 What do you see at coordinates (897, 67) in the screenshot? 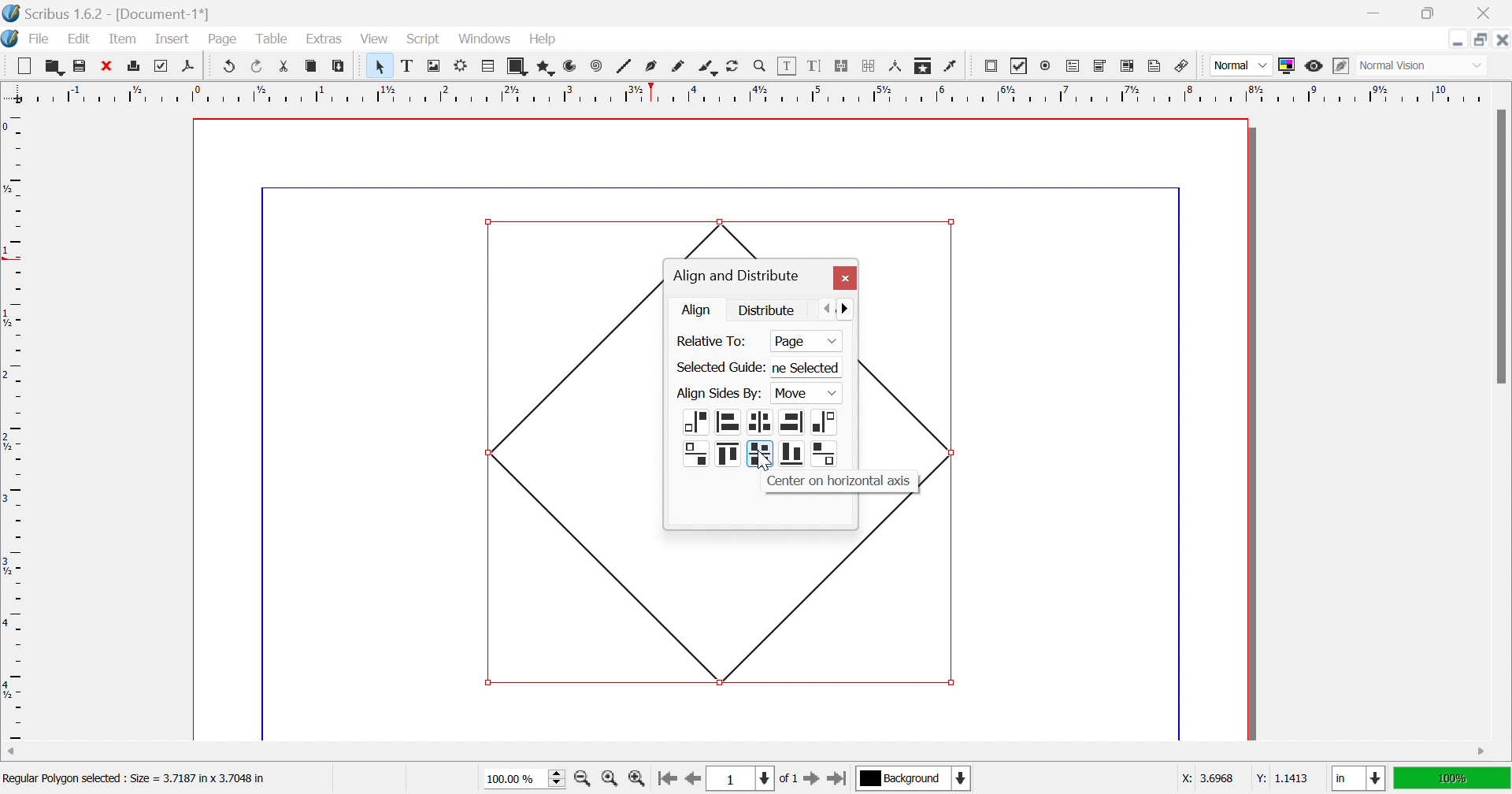
I see `Measurements` at bounding box center [897, 67].